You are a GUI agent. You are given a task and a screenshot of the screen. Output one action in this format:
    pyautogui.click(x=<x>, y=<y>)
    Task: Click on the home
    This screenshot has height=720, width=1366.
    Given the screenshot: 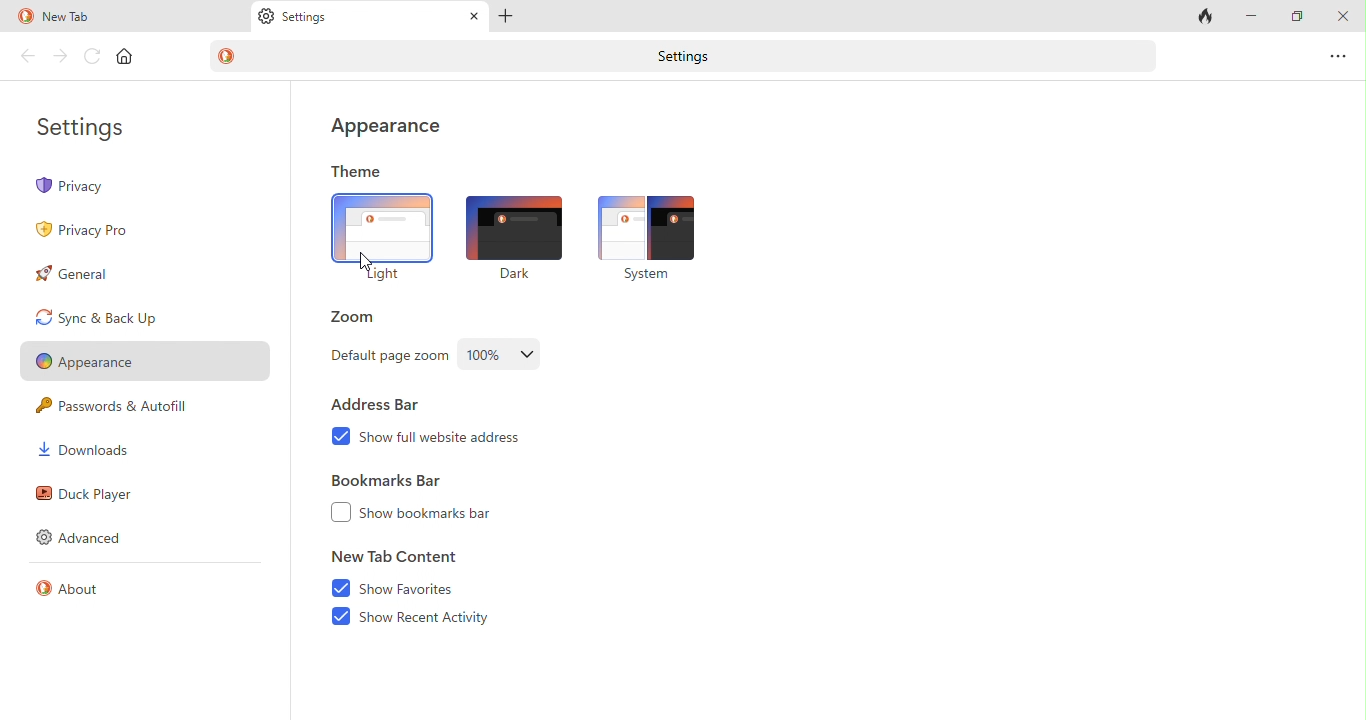 What is the action you would take?
    pyautogui.click(x=127, y=56)
    